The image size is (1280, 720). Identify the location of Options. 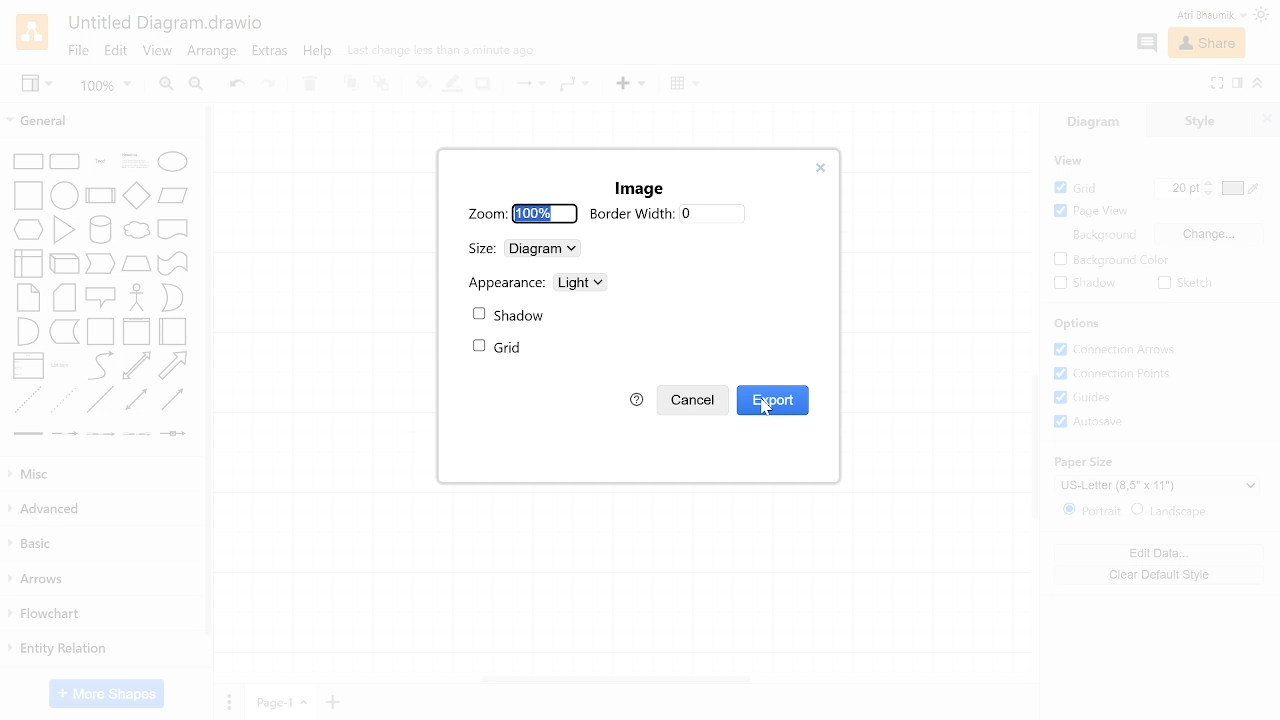
(1078, 325).